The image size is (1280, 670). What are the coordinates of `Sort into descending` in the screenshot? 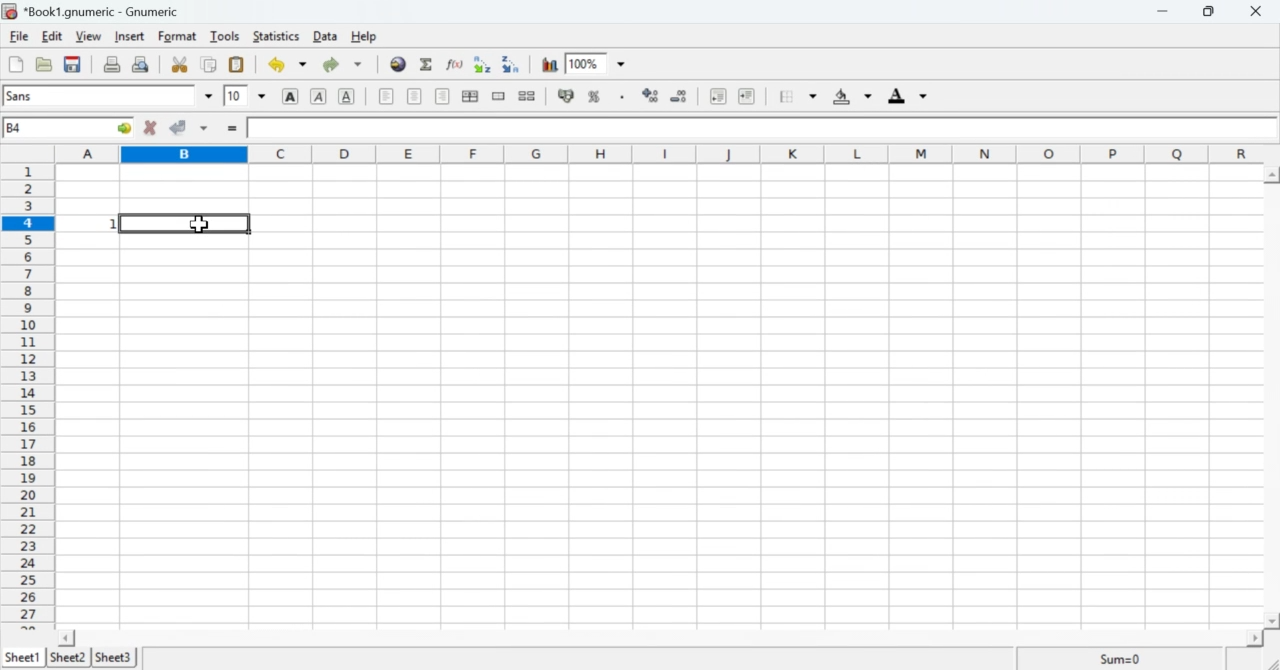 It's located at (511, 64).